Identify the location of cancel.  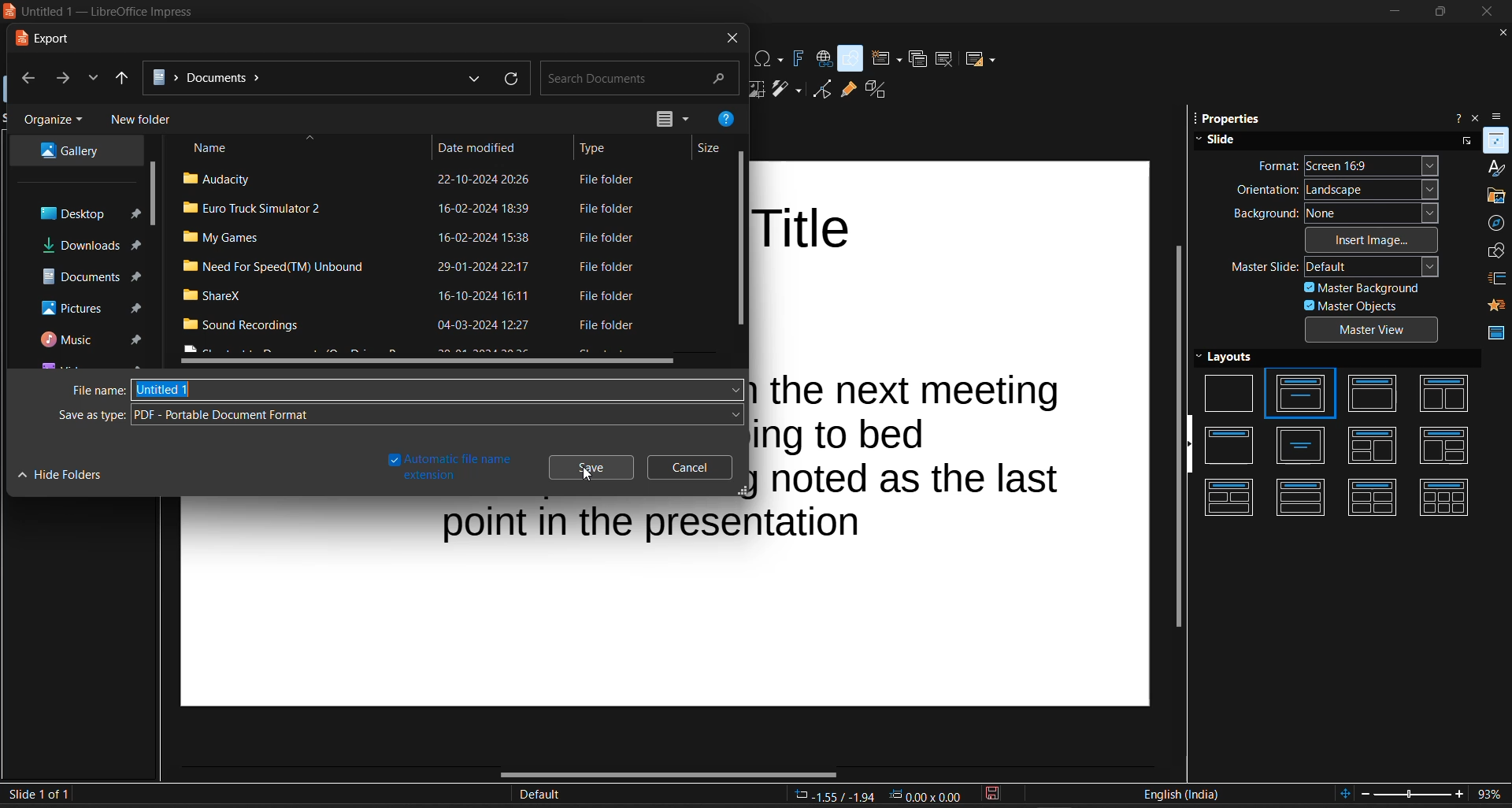
(686, 467).